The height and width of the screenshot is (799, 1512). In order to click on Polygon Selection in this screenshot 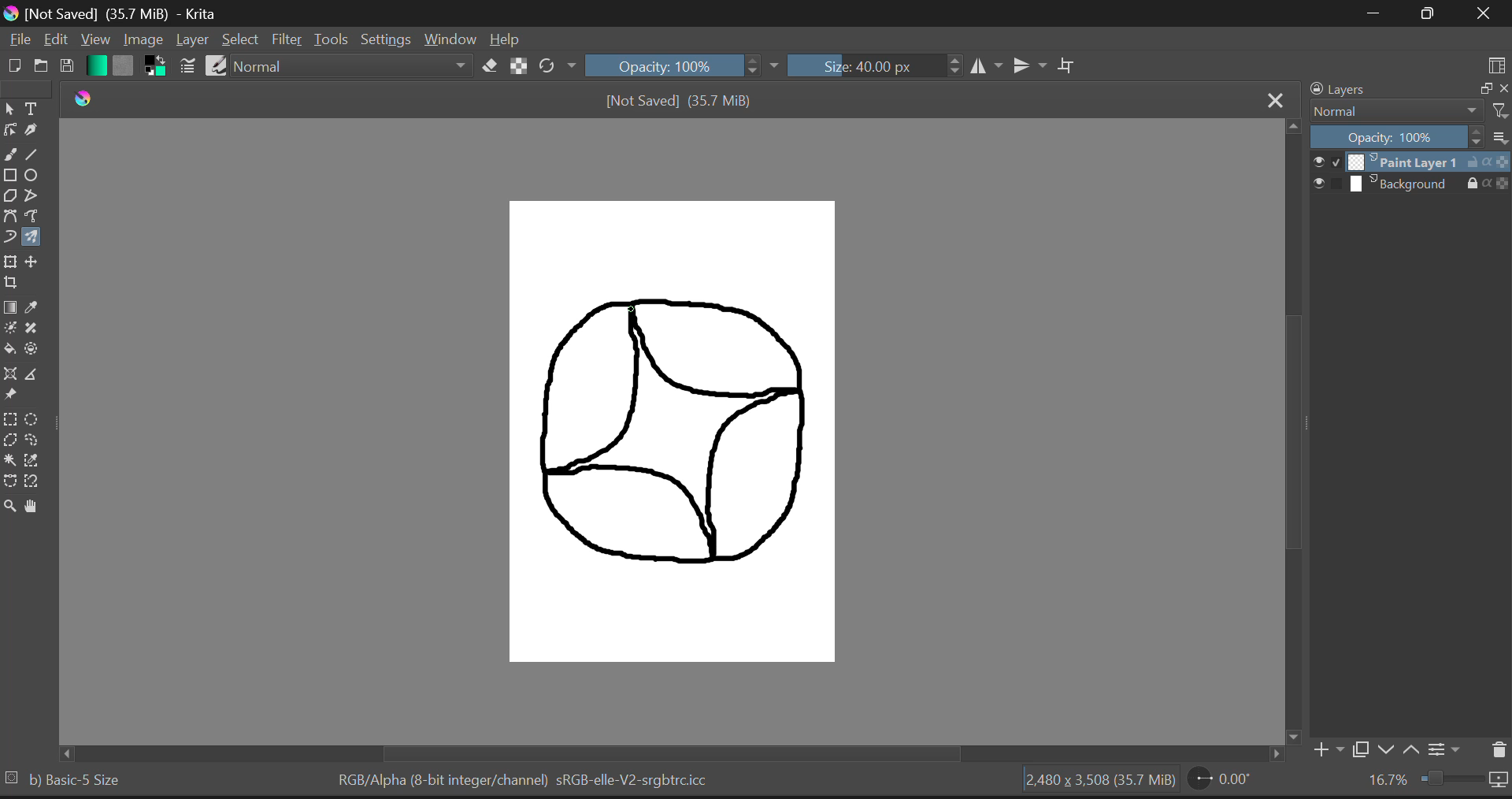, I will do `click(10, 440)`.